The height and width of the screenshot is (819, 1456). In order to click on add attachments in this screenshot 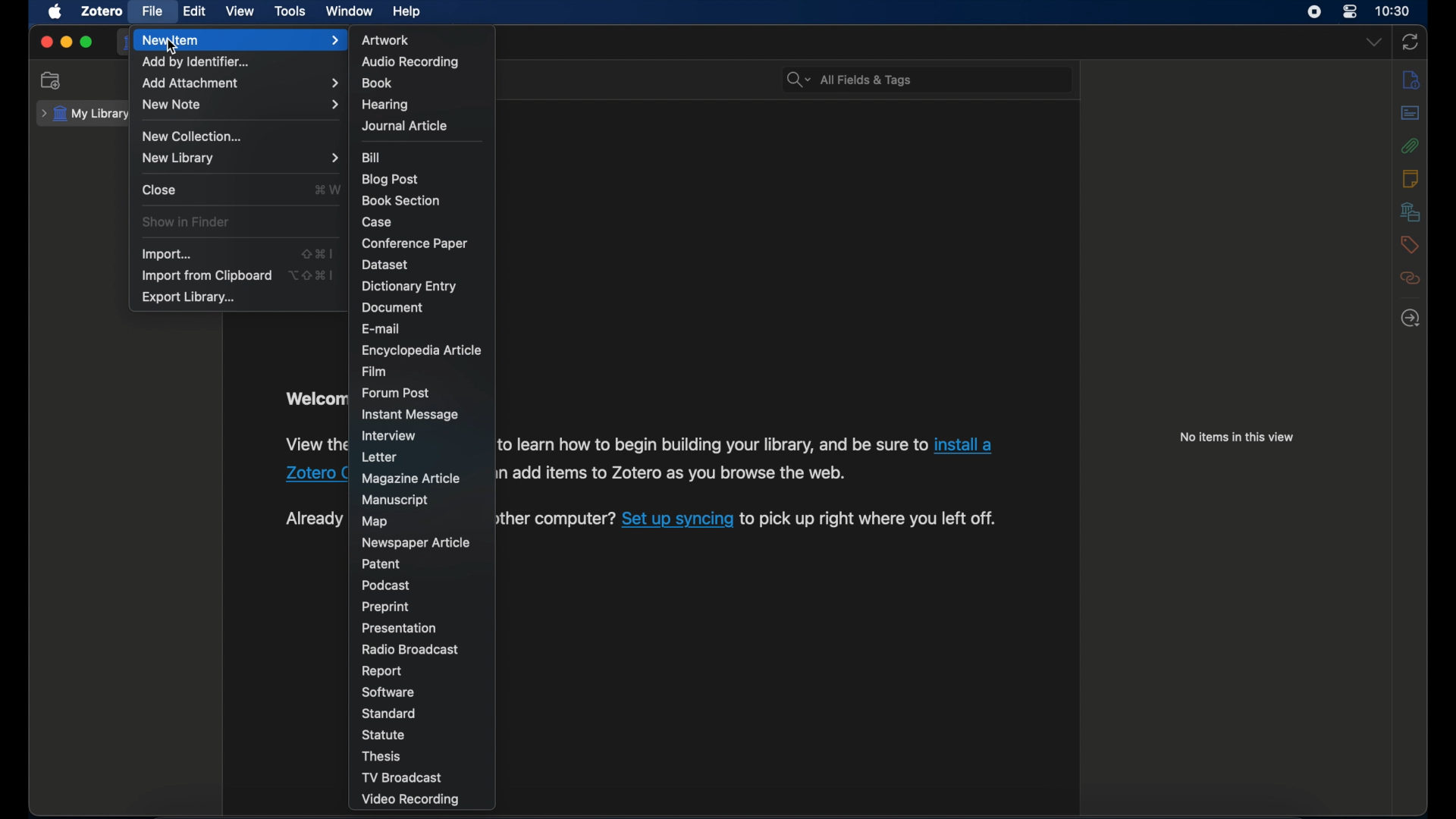, I will do `click(240, 83)`.